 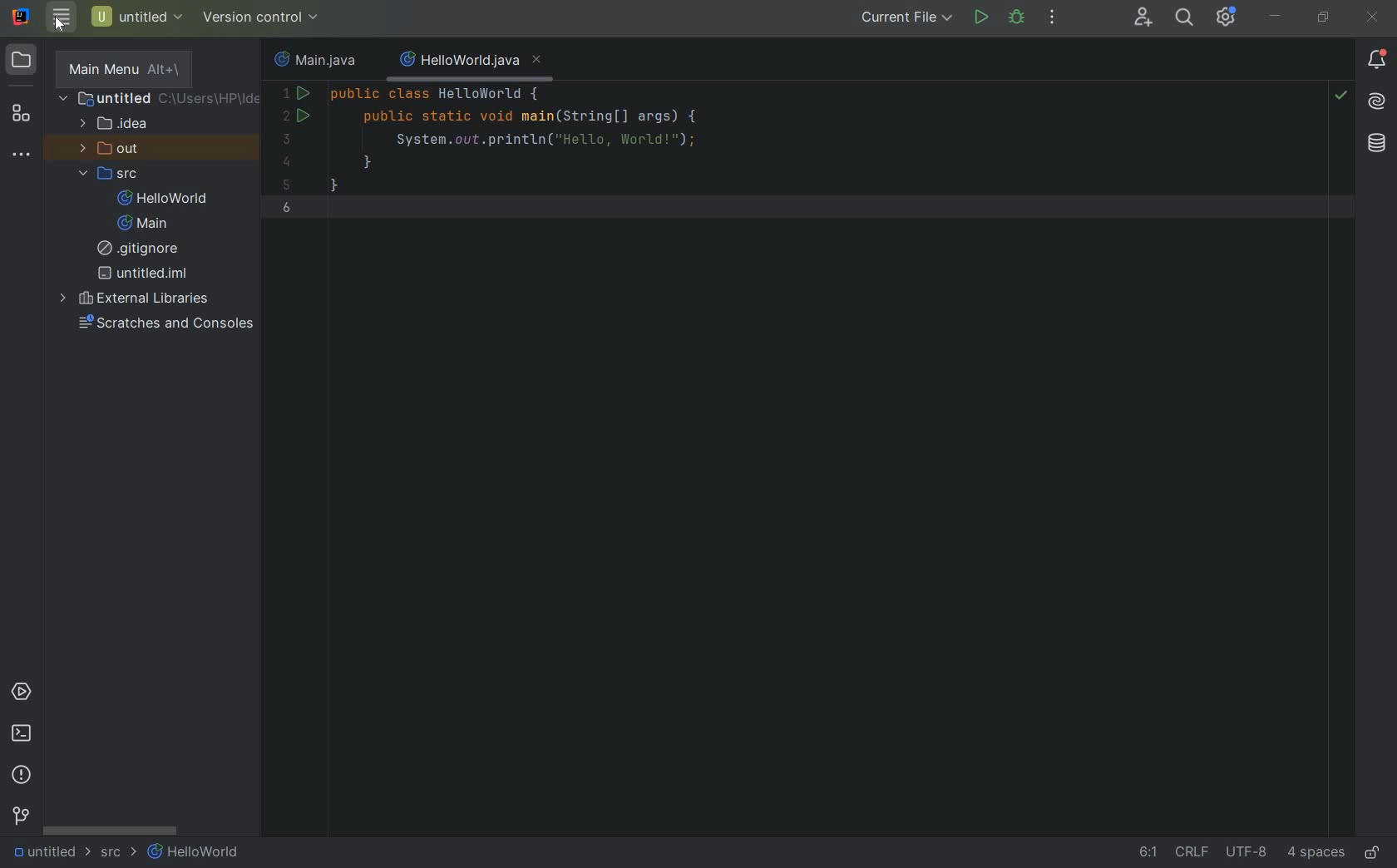 I want to click on MORE ACTIONS, so click(x=1054, y=19).